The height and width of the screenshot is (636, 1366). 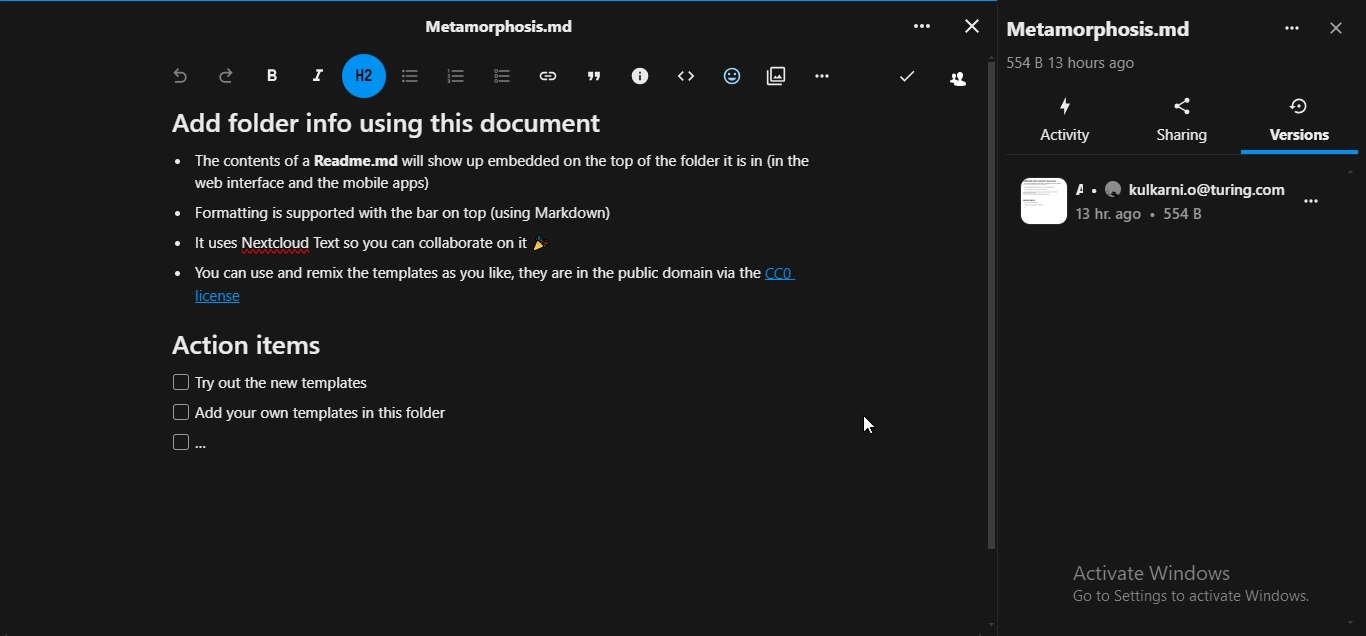 What do you see at coordinates (544, 75) in the screenshot?
I see `insert link` at bounding box center [544, 75].